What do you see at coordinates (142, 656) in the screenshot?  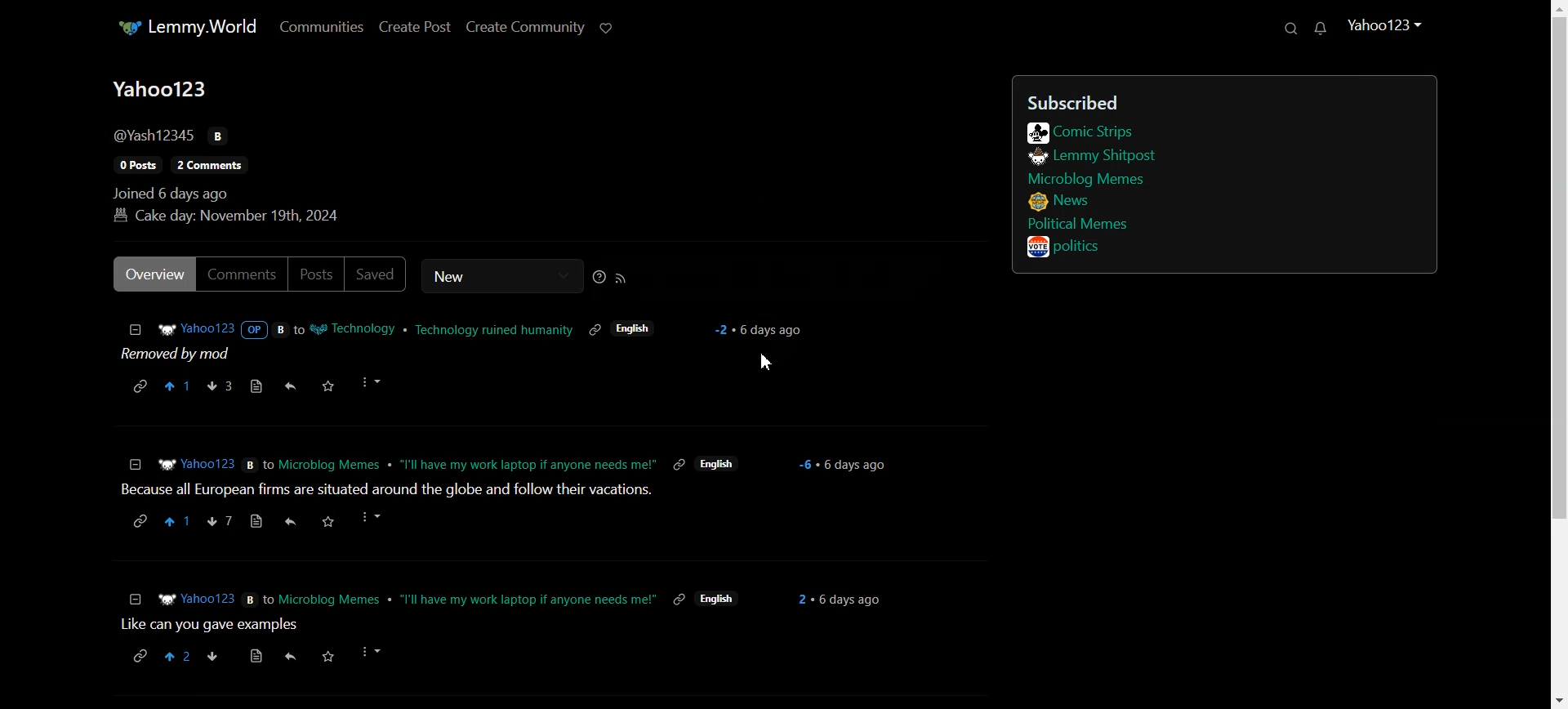 I see `` at bounding box center [142, 656].